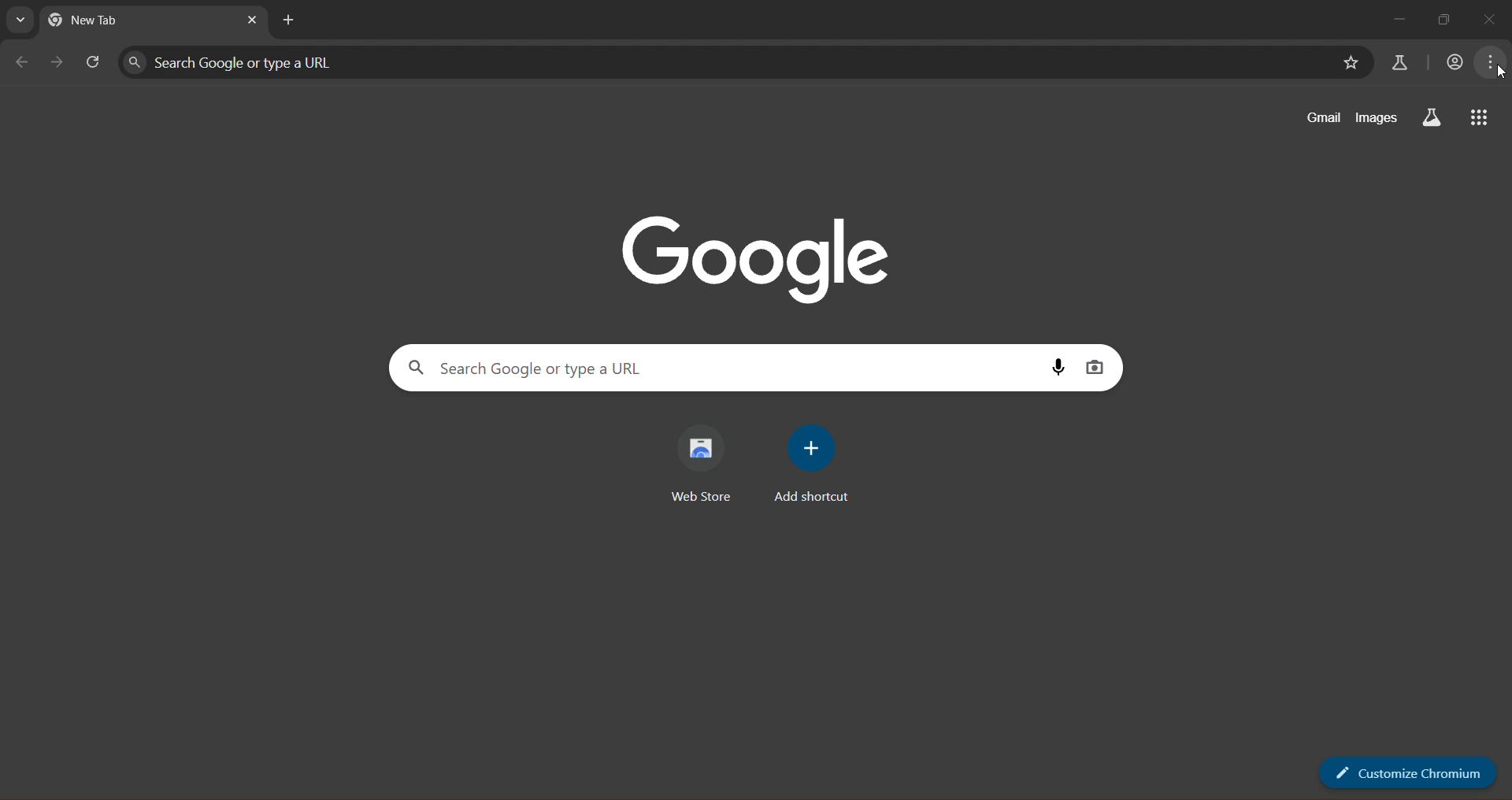 The height and width of the screenshot is (800, 1512). What do you see at coordinates (728, 62) in the screenshot?
I see `search labs` at bounding box center [728, 62].